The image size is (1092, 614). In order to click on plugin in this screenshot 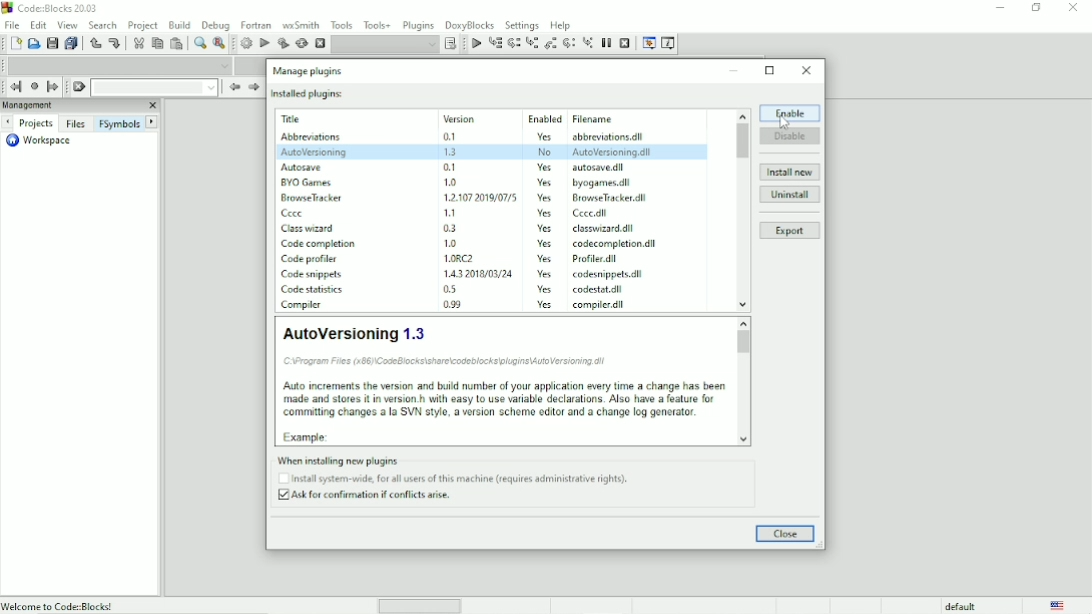, I will do `click(312, 227)`.